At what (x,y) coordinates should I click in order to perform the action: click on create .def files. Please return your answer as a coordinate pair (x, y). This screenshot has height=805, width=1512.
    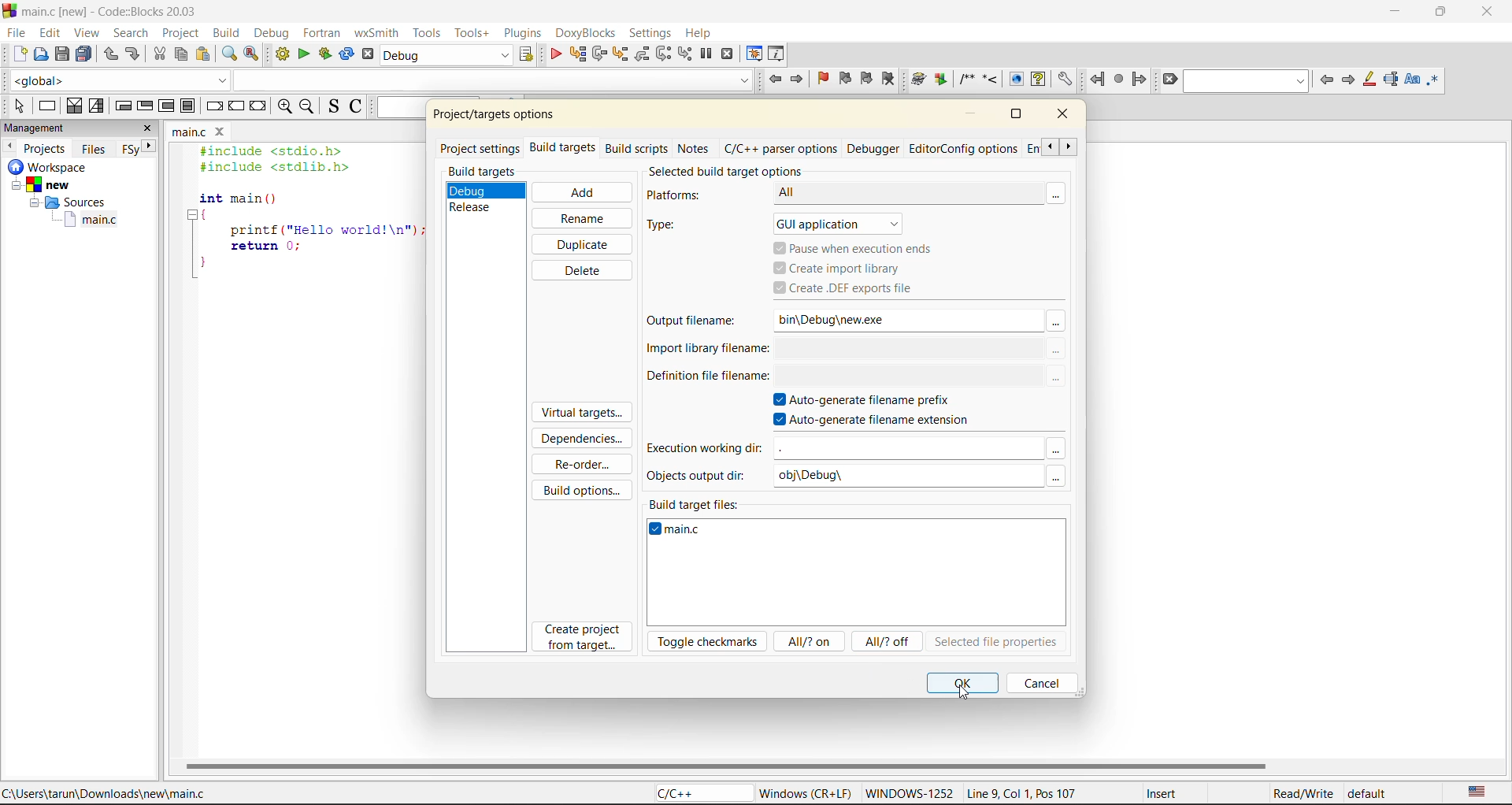
    Looking at the image, I should click on (839, 289).